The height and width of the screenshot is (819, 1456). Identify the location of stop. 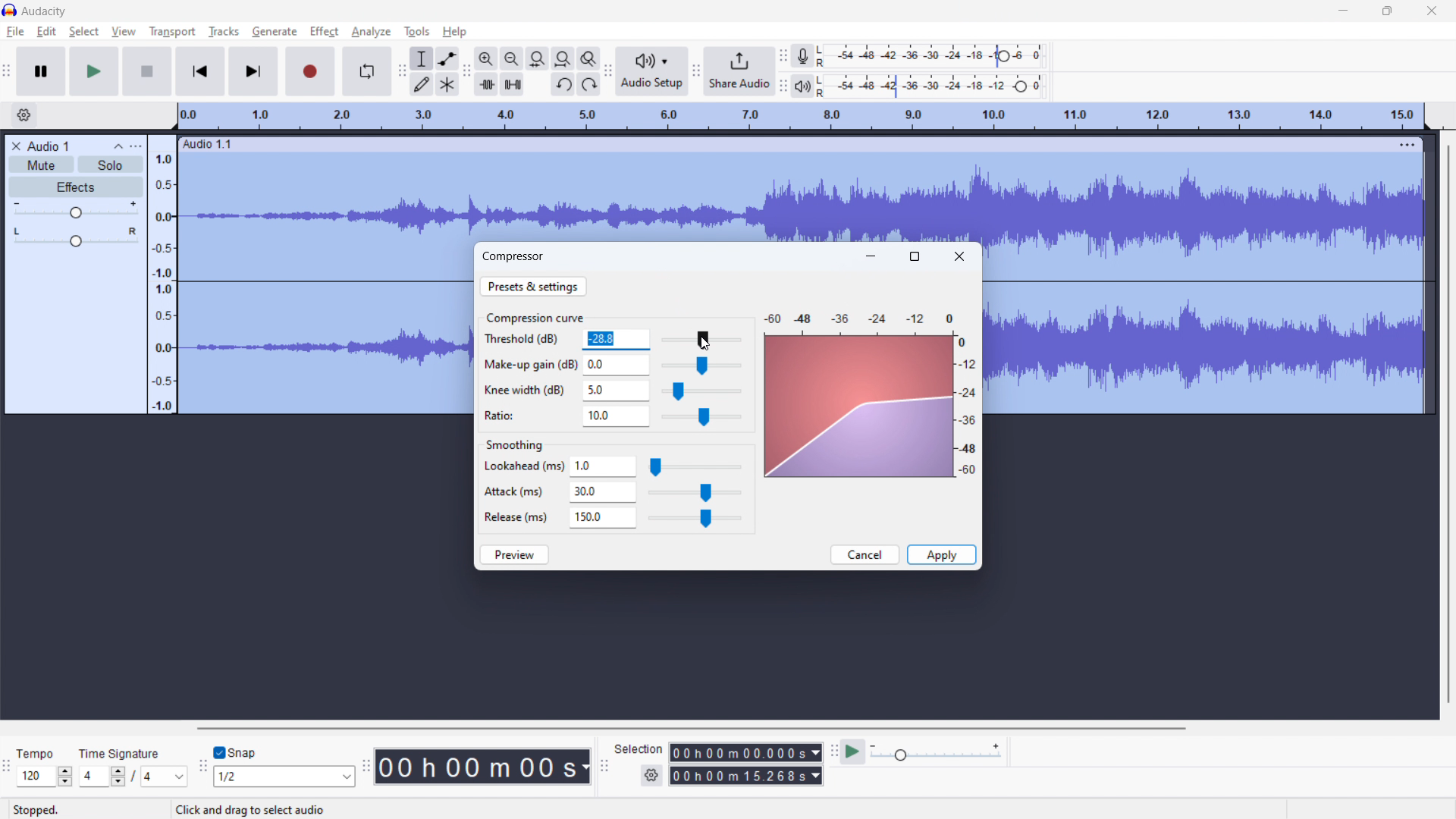
(147, 71).